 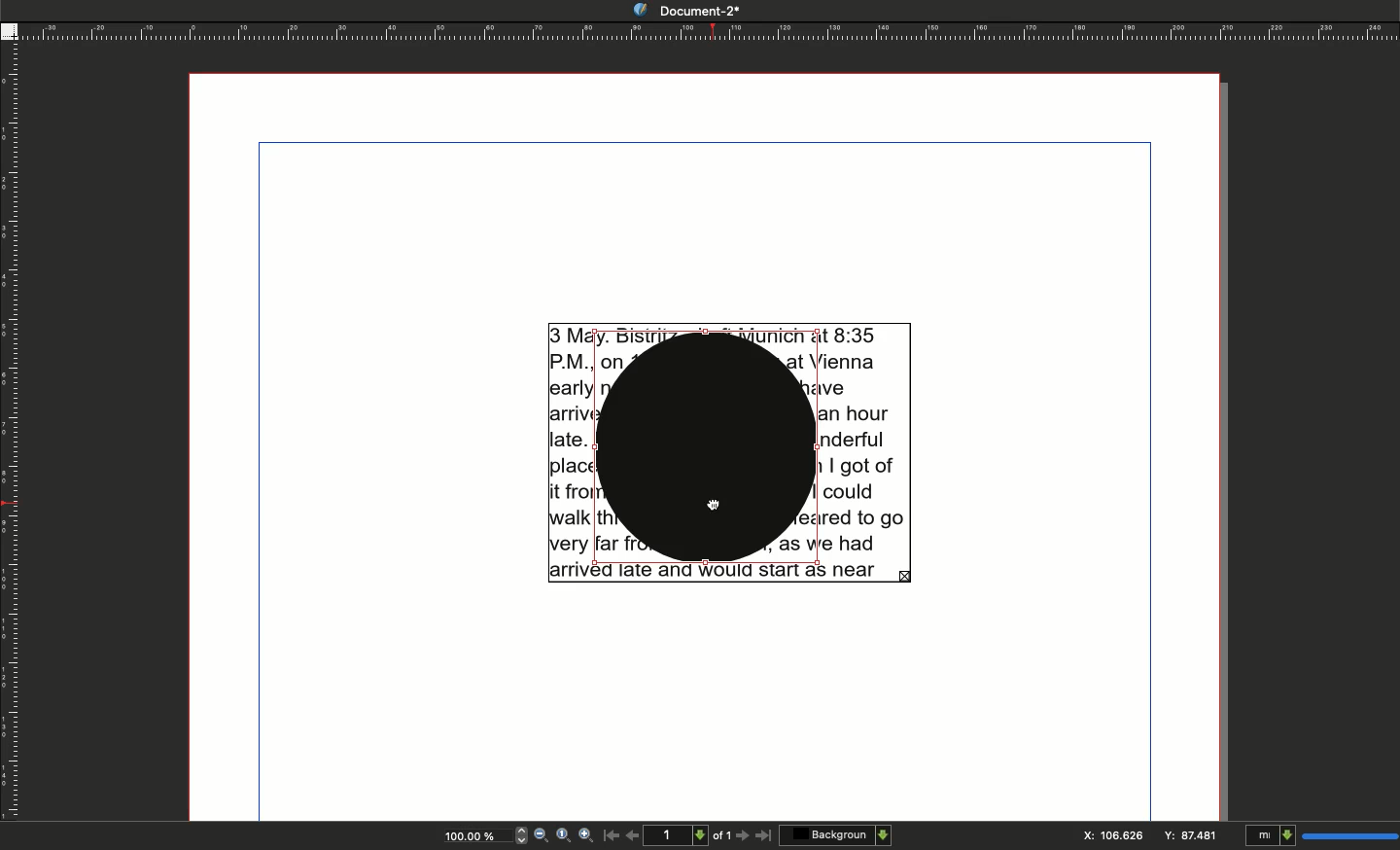 I want to click on Page count, so click(x=689, y=834).